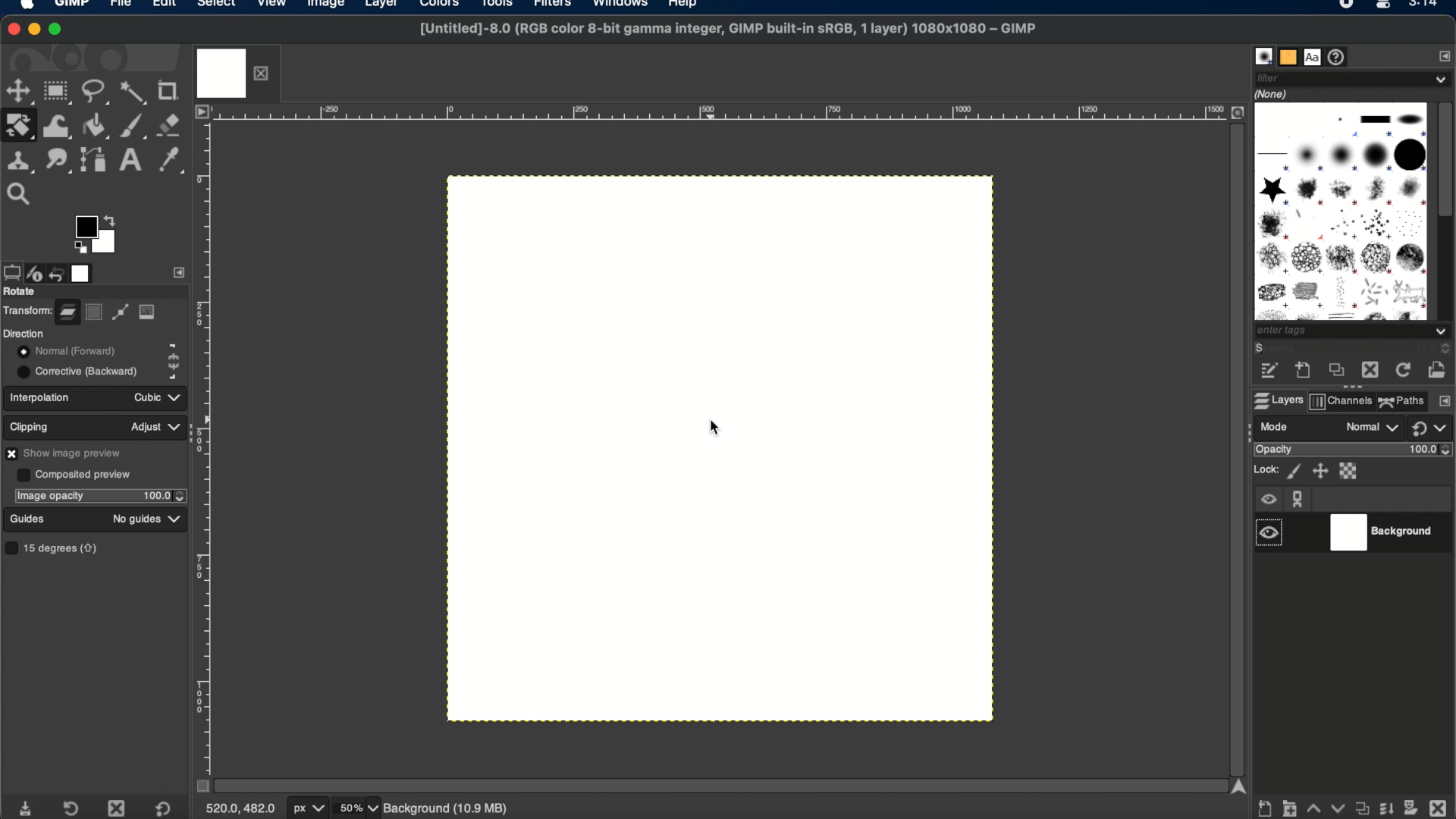 The height and width of the screenshot is (819, 1456). What do you see at coordinates (221, 72) in the screenshot?
I see `image tab` at bounding box center [221, 72].